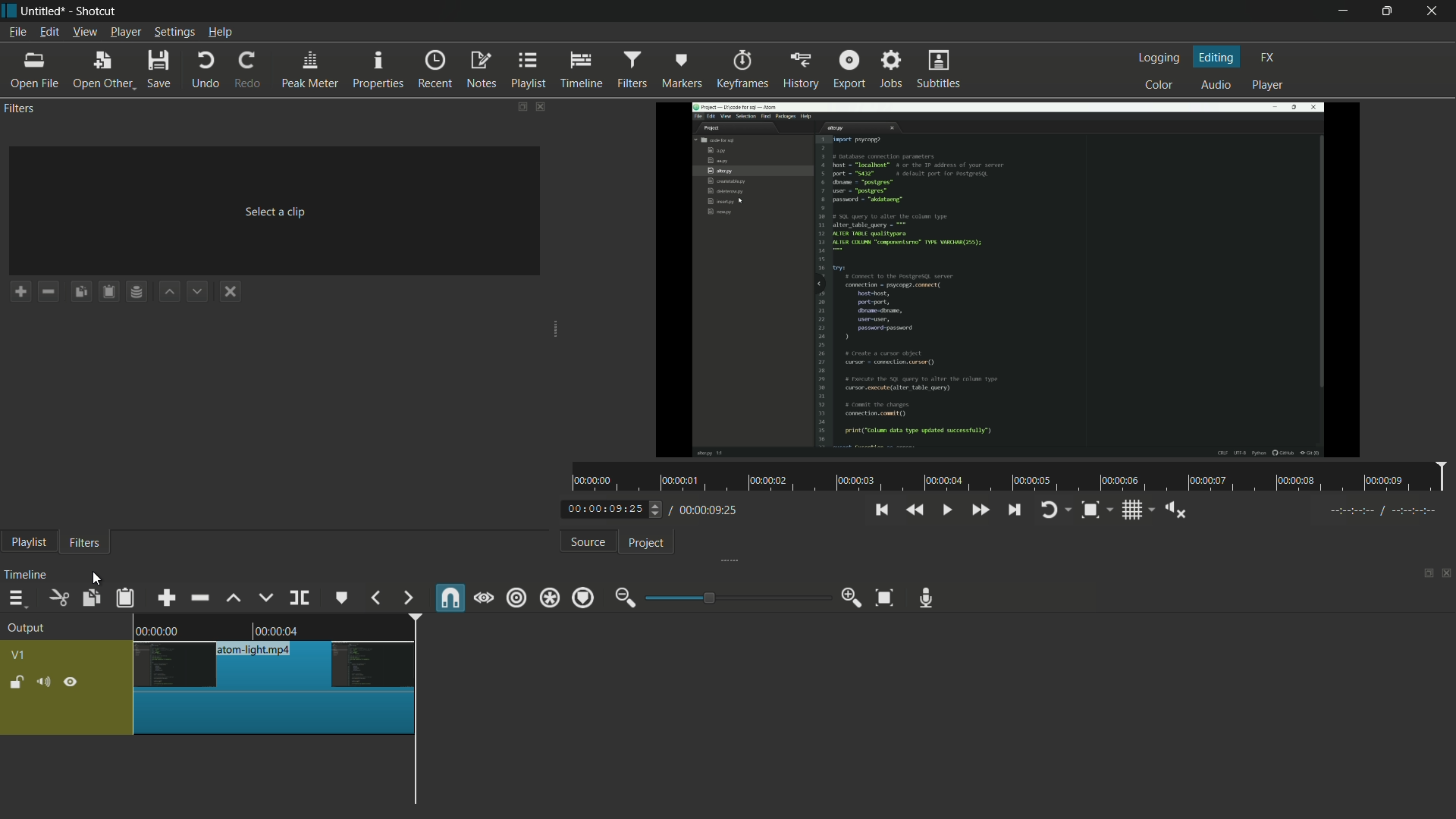  I want to click on fx, so click(1267, 58).